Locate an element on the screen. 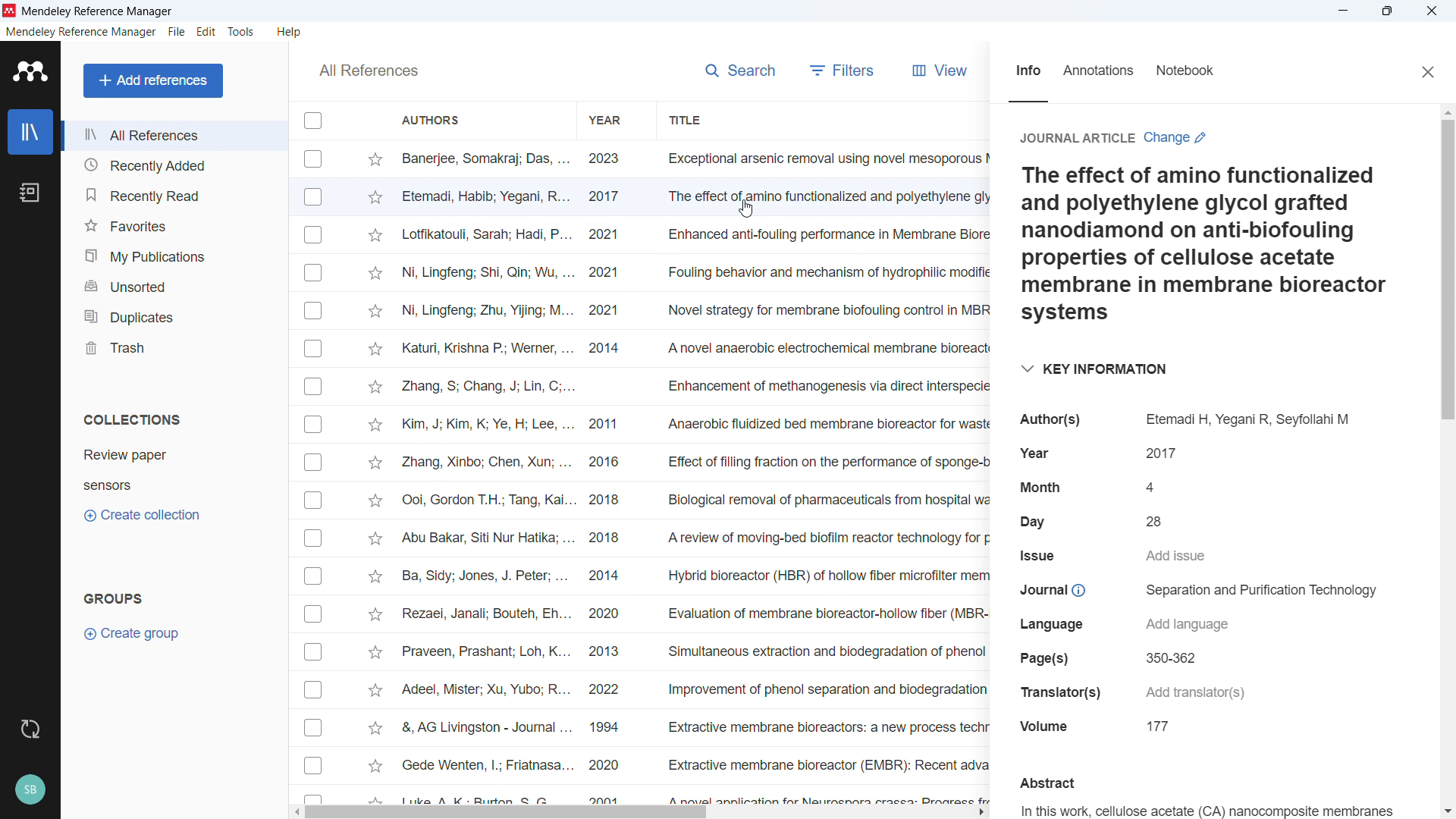  logo is located at coordinates (30, 73).